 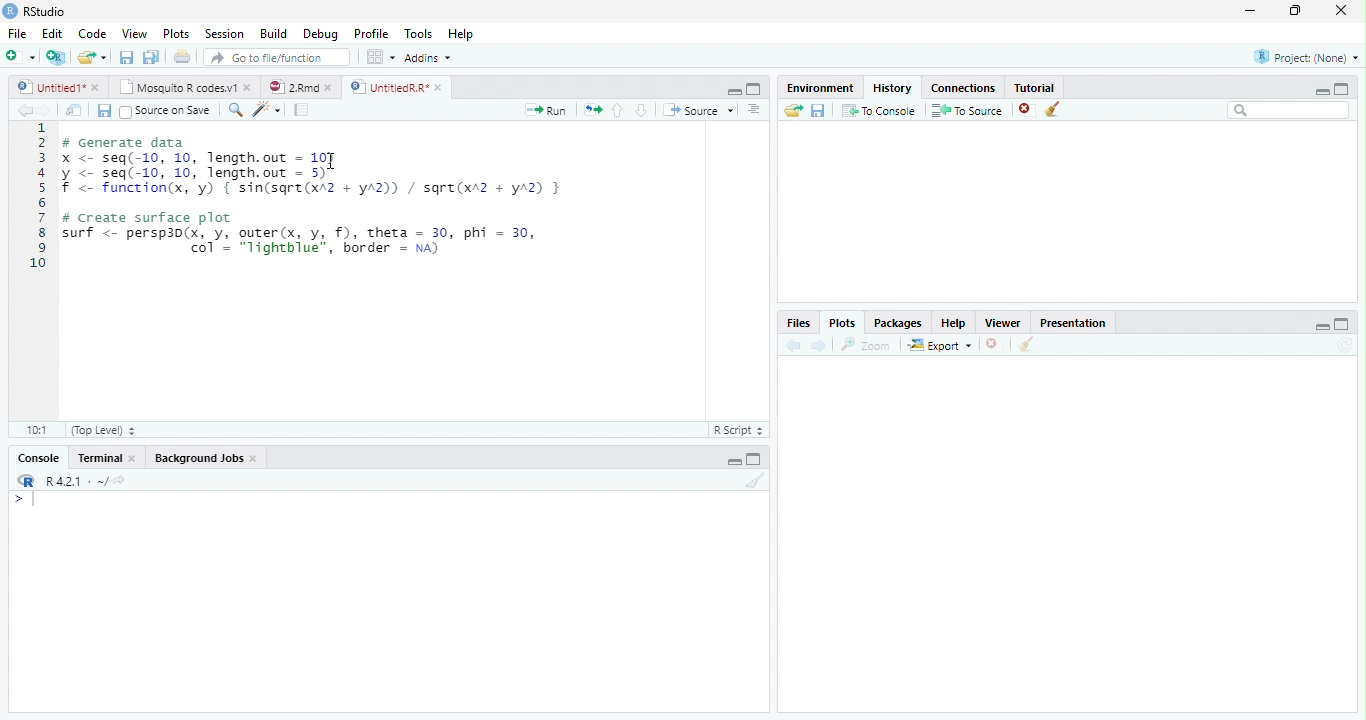 What do you see at coordinates (39, 458) in the screenshot?
I see `Console` at bounding box center [39, 458].